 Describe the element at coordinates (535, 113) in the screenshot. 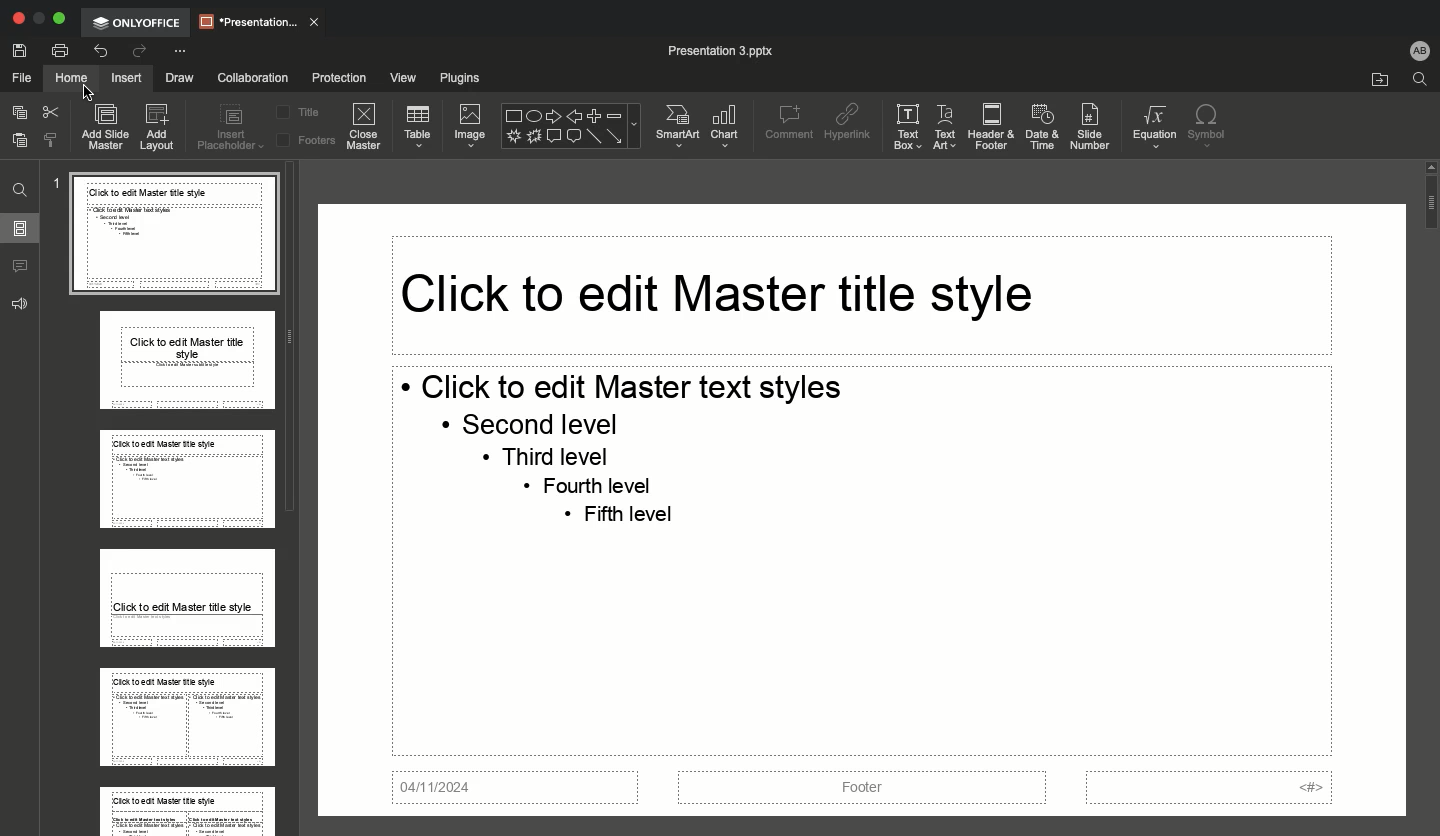

I see `Ellipse` at that location.